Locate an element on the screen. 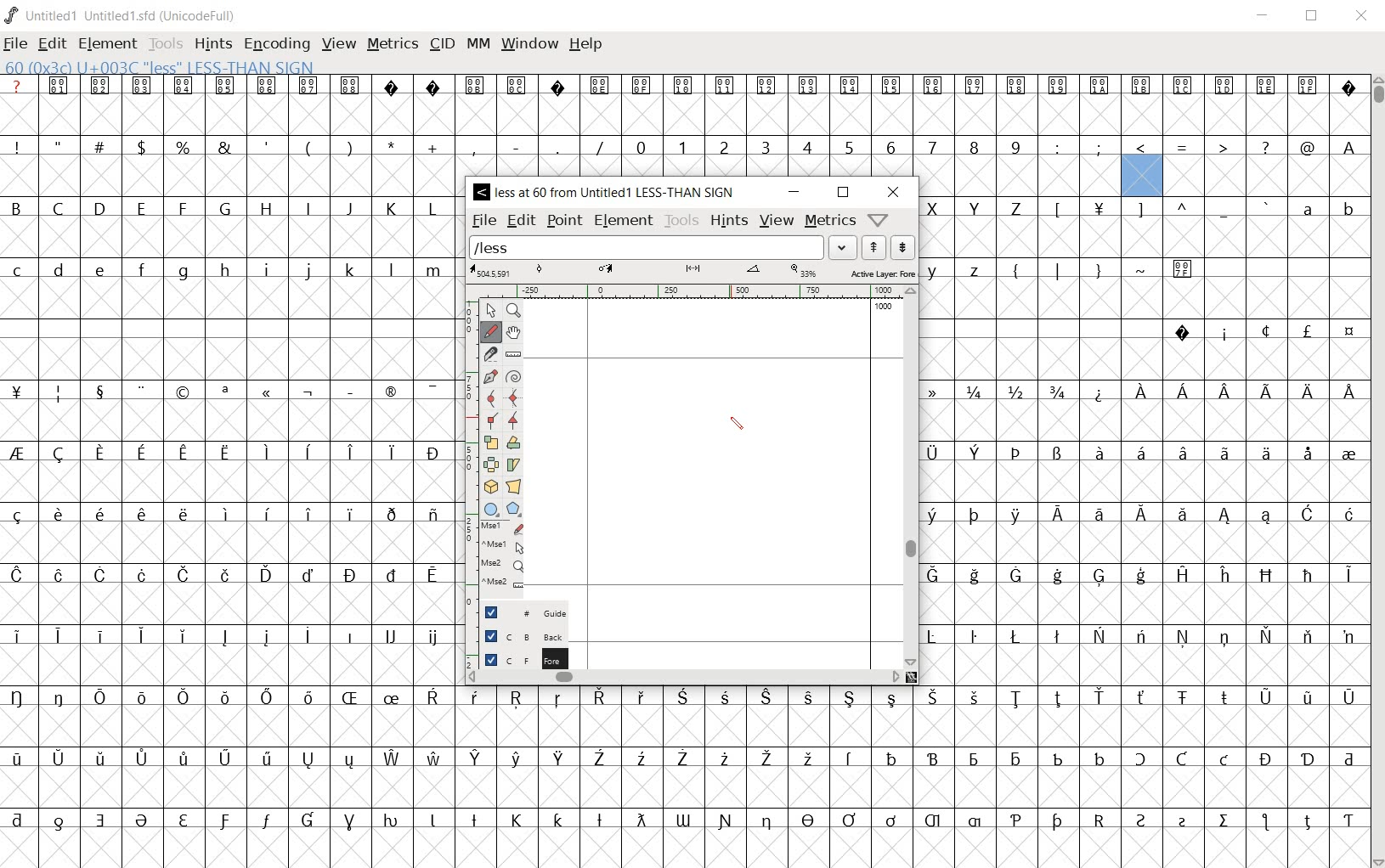 This screenshot has height=868, width=1385.  is located at coordinates (680, 697).